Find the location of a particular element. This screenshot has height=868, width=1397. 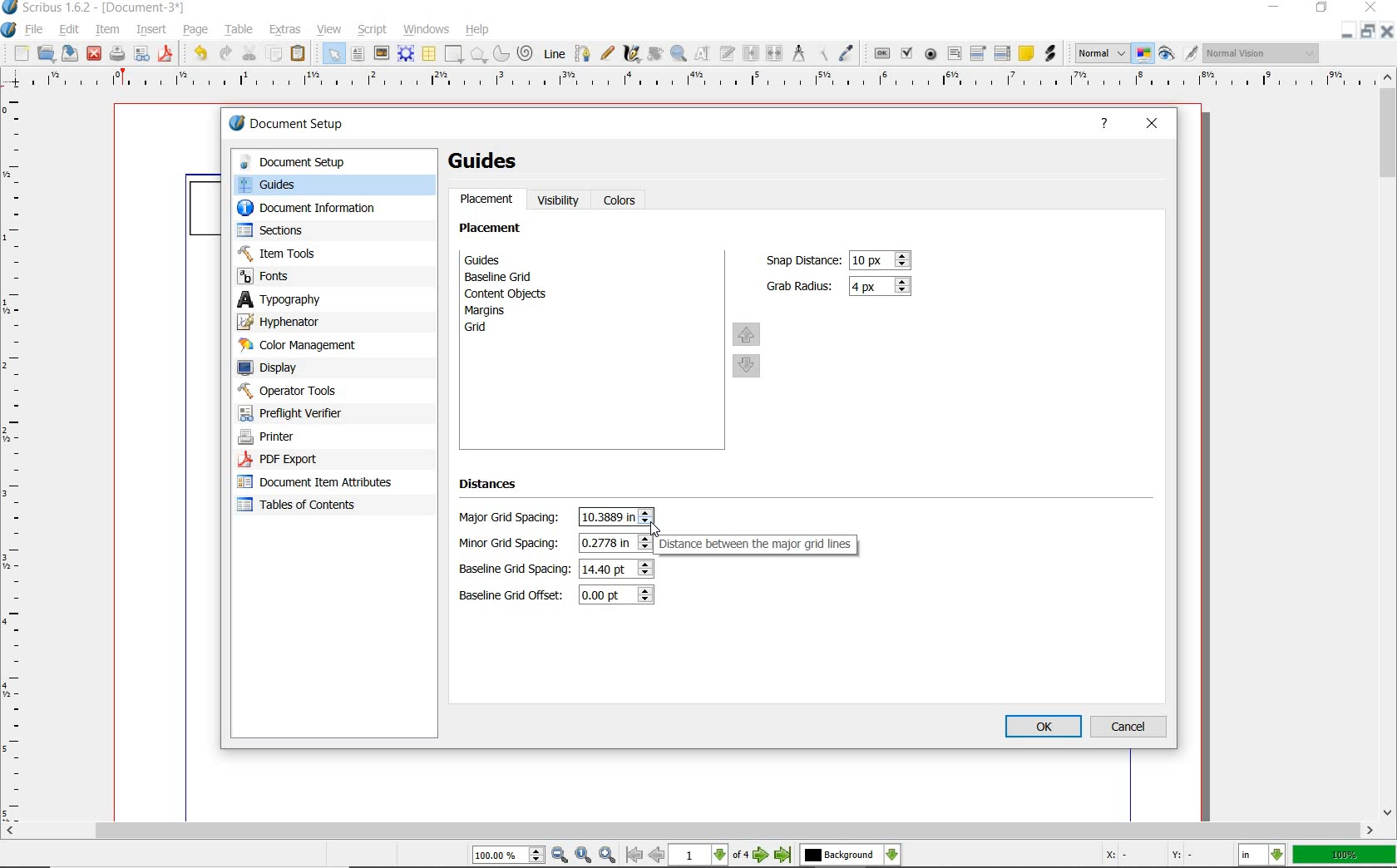

Baseline Grid Offset: is located at coordinates (513, 595).